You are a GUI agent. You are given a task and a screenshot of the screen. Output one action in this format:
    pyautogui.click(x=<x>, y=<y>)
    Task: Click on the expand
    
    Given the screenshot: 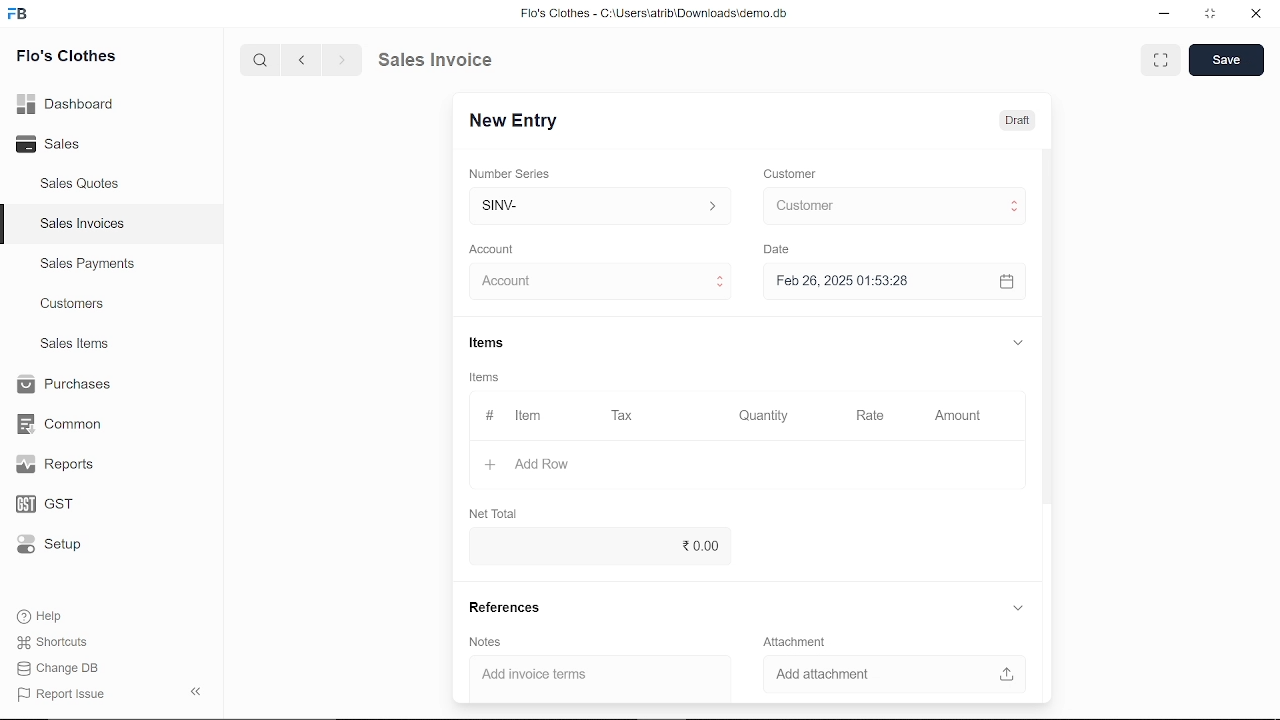 What is the action you would take?
    pyautogui.click(x=1019, y=609)
    